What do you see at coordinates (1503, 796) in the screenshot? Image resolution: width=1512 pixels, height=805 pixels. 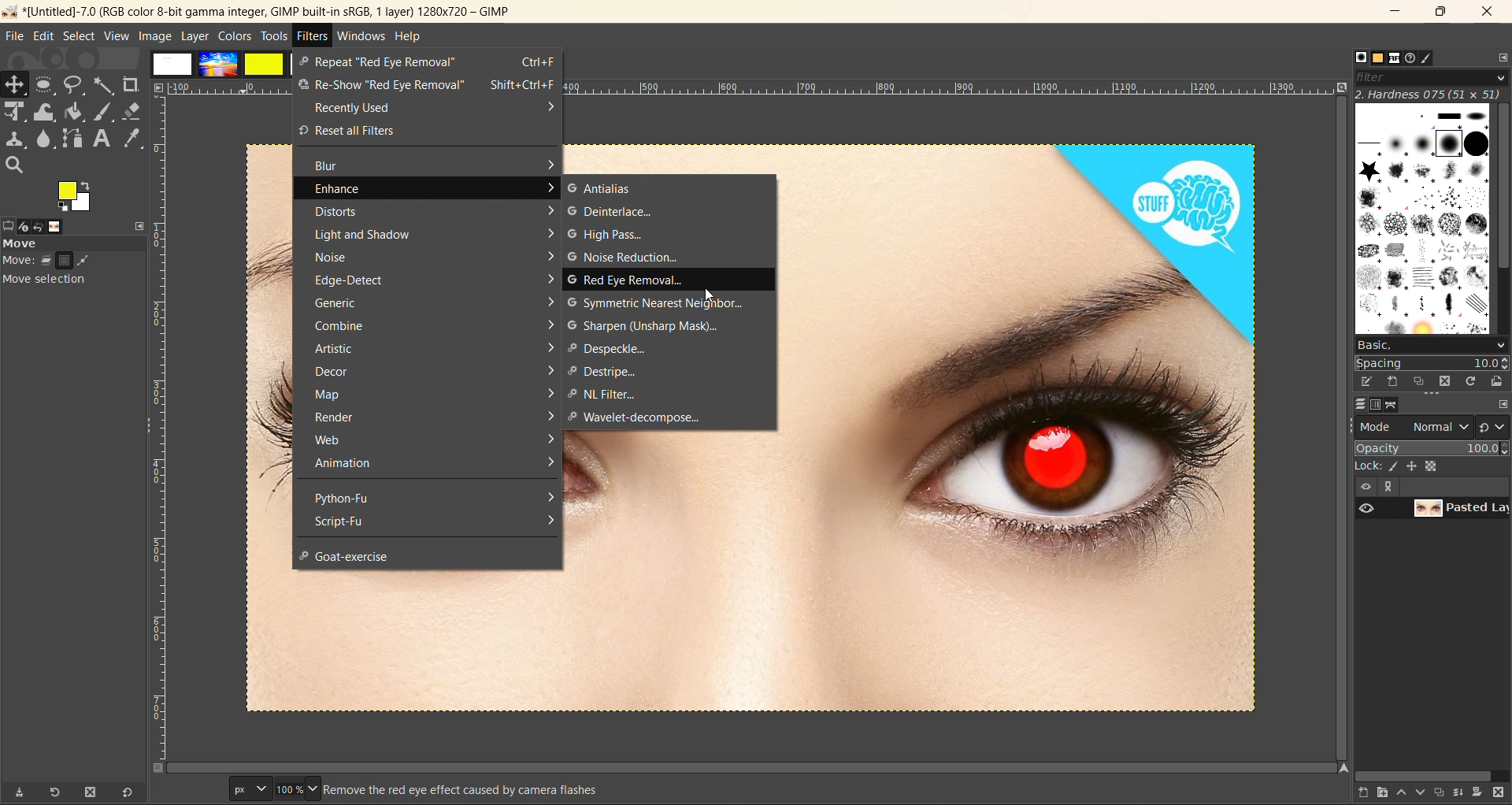 I see `delete this layer` at bounding box center [1503, 796].